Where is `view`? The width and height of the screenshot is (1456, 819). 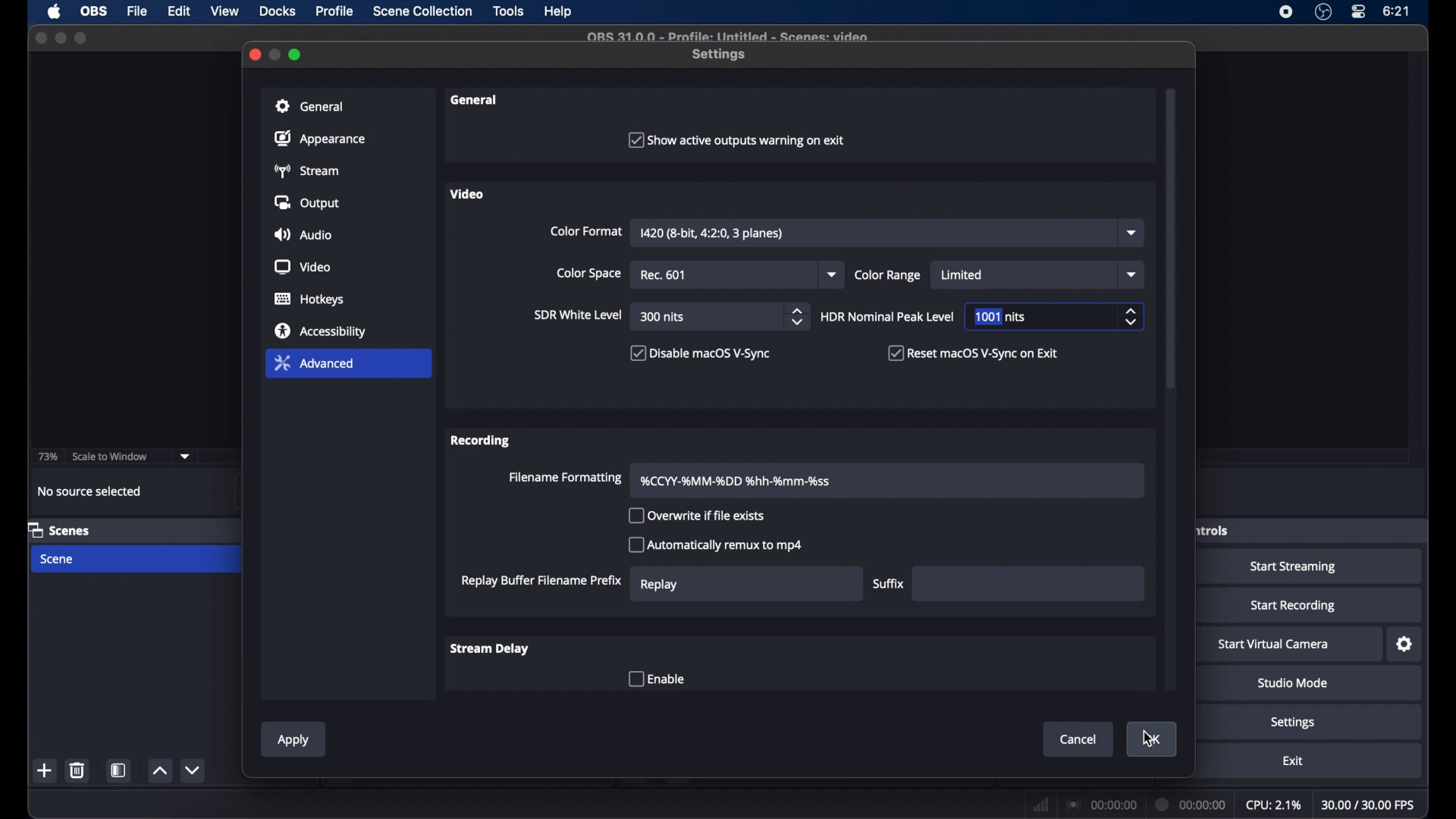 view is located at coordinates (224, 12).